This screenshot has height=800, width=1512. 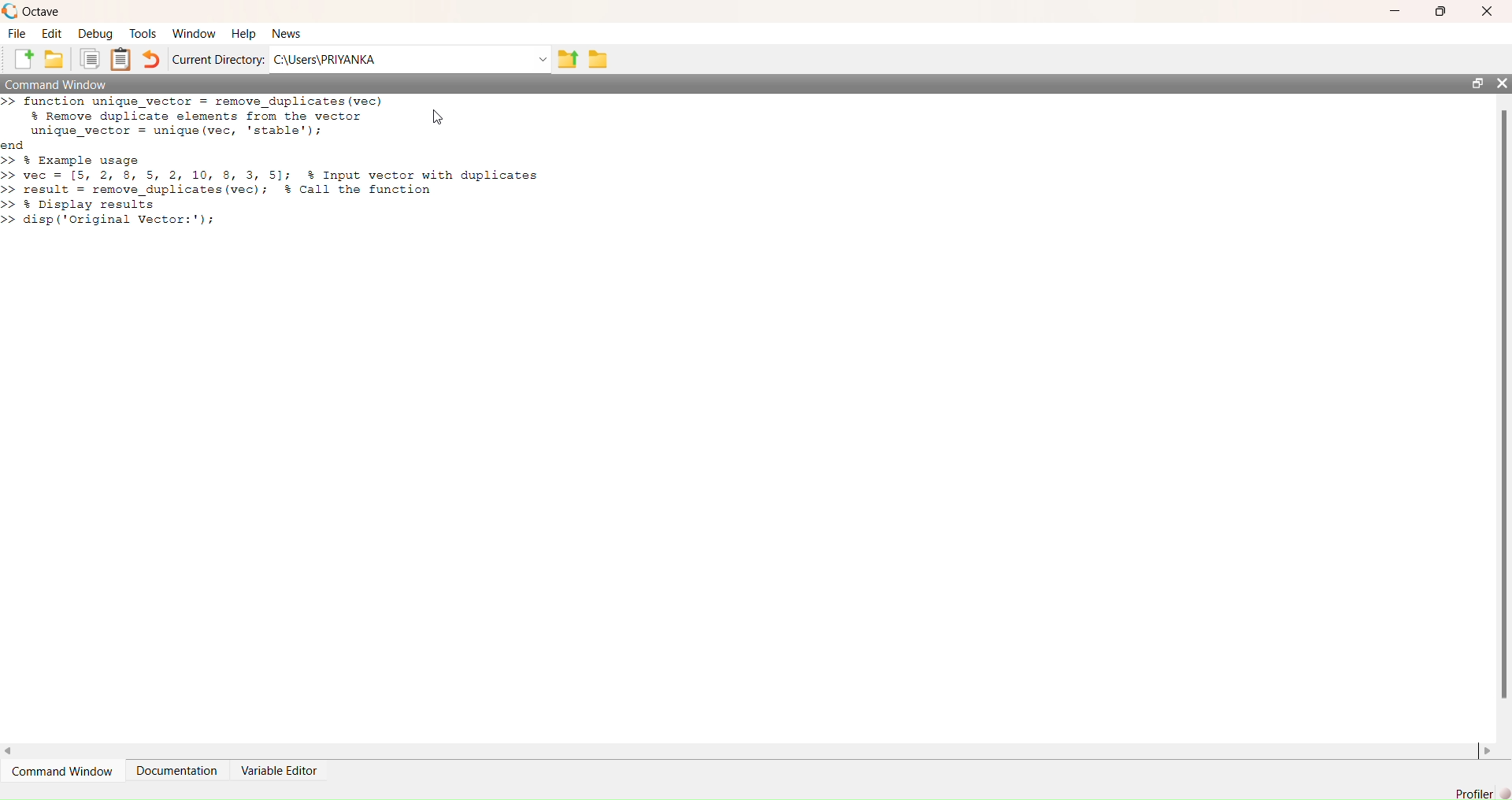 I want to click on folder, so click(x=599, y=59).